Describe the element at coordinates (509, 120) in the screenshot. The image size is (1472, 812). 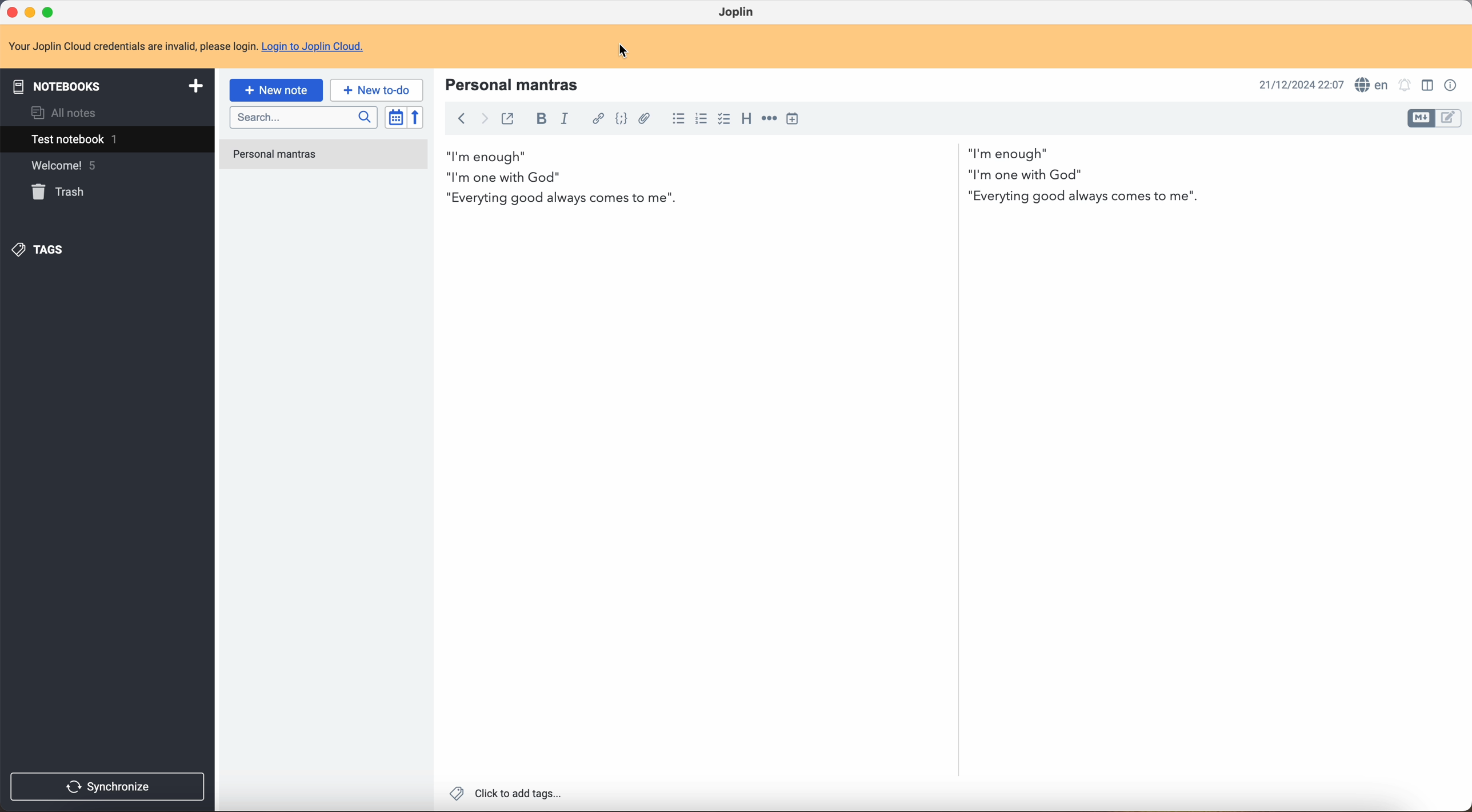
I see `toggle external editing` at that location.